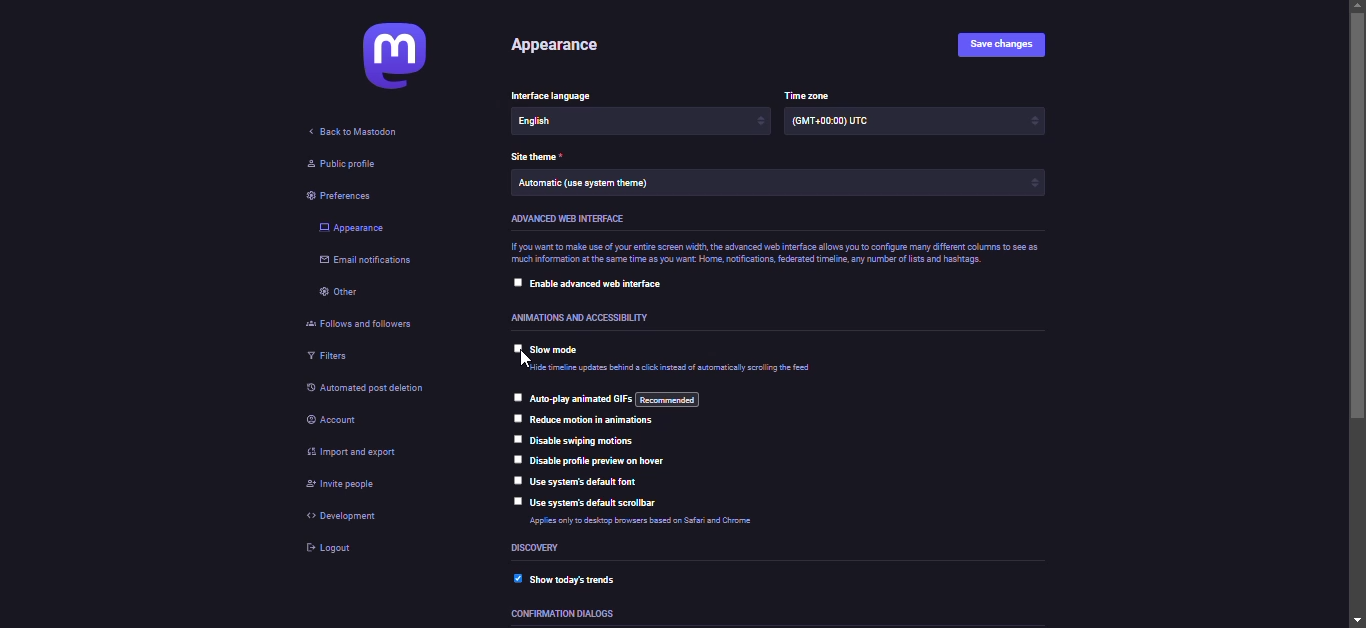 The image size is (1366, 628). Describe the element at coordinates (600, 286) in the screenshot. I see `enable advanced web interface` at that location.